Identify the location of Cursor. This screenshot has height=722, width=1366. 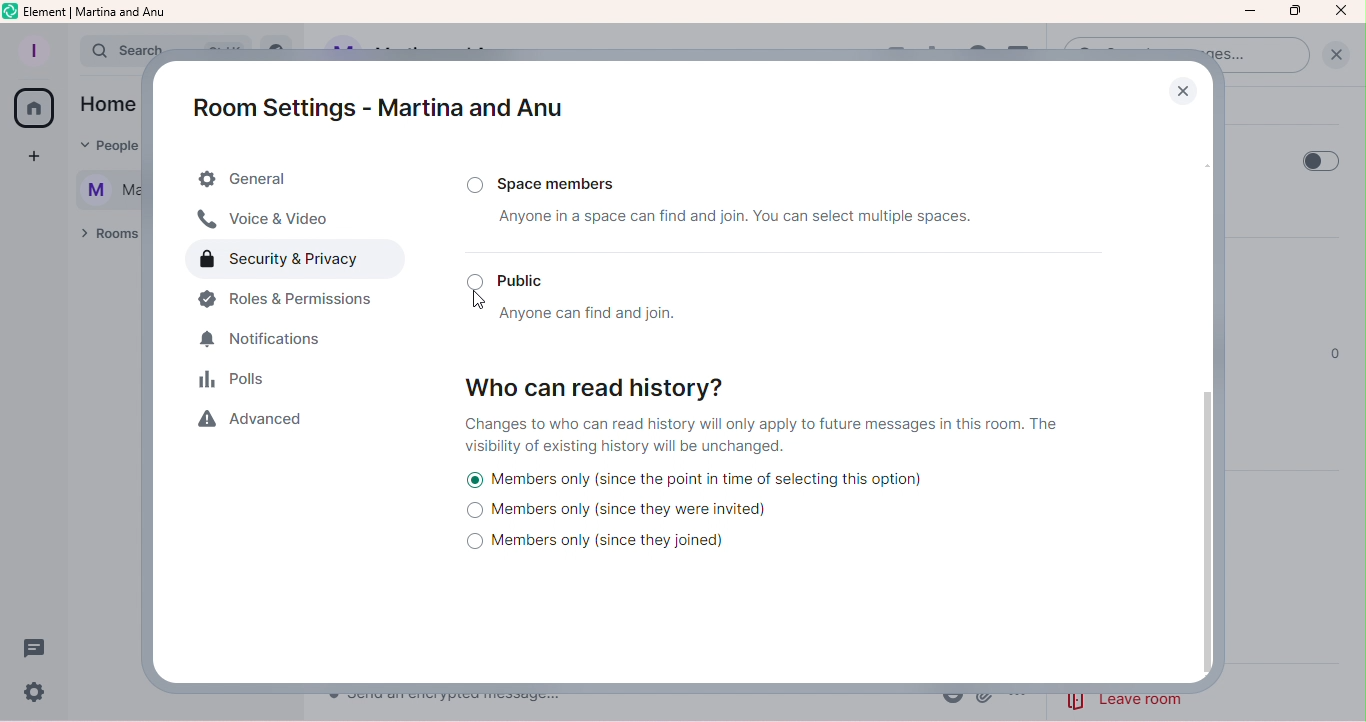
(476, 299).